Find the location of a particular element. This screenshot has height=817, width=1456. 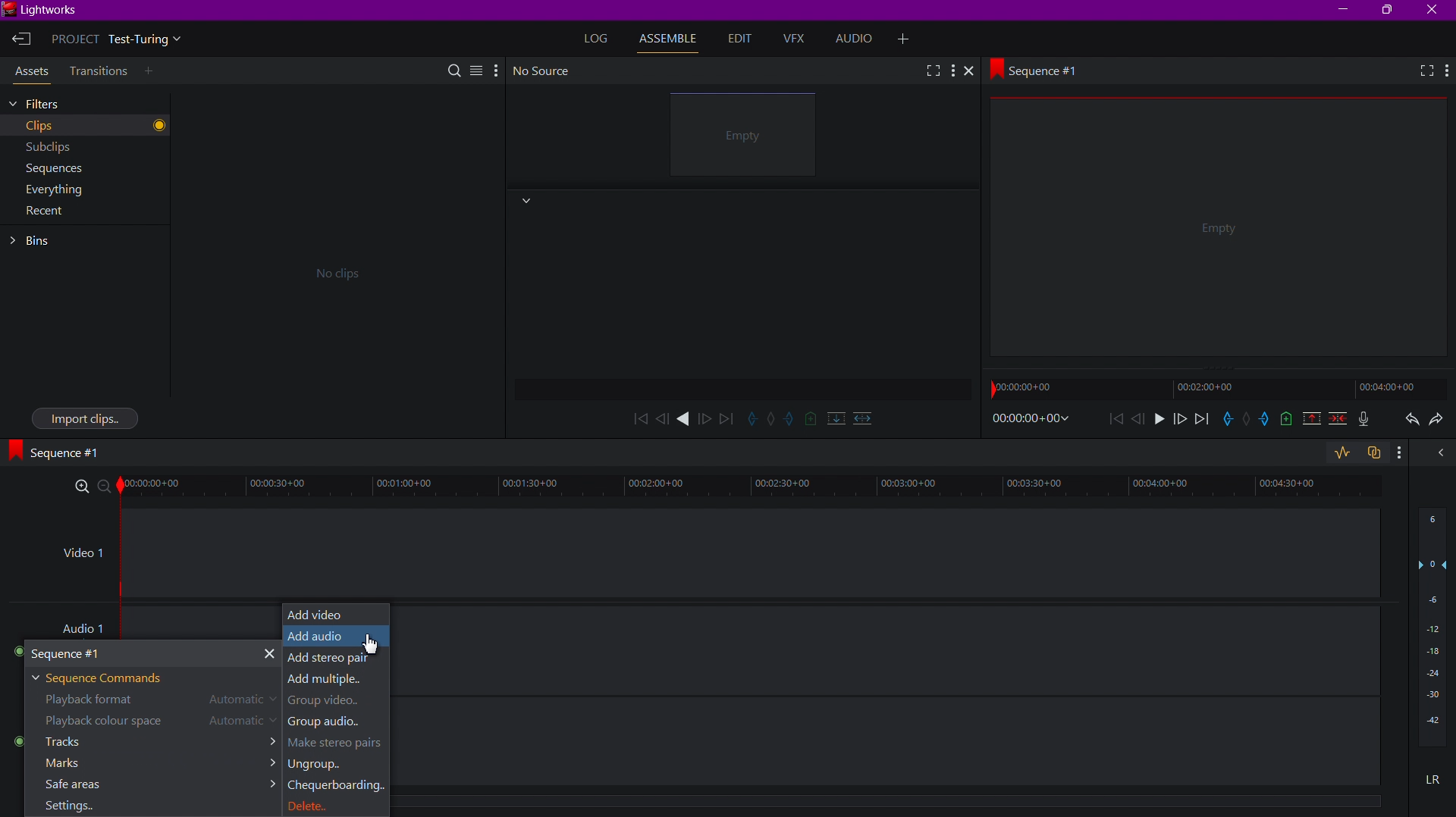

Sequences is located at coordinates (49, 167).